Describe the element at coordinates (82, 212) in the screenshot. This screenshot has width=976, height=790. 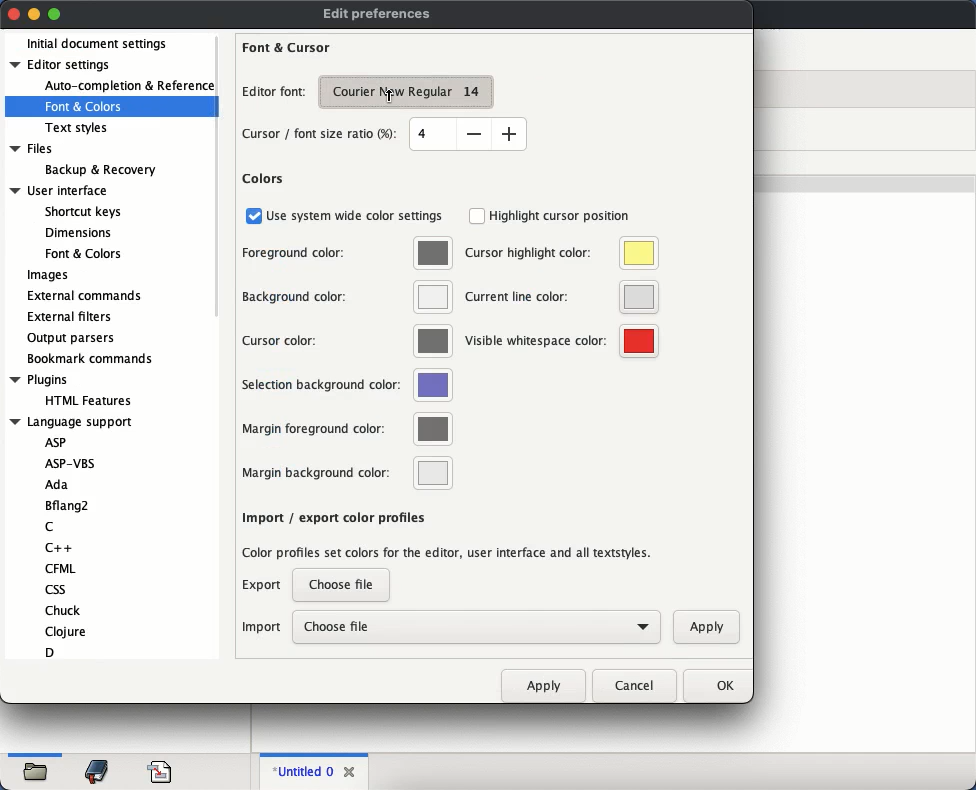
I see `shortcut keys` at that location.